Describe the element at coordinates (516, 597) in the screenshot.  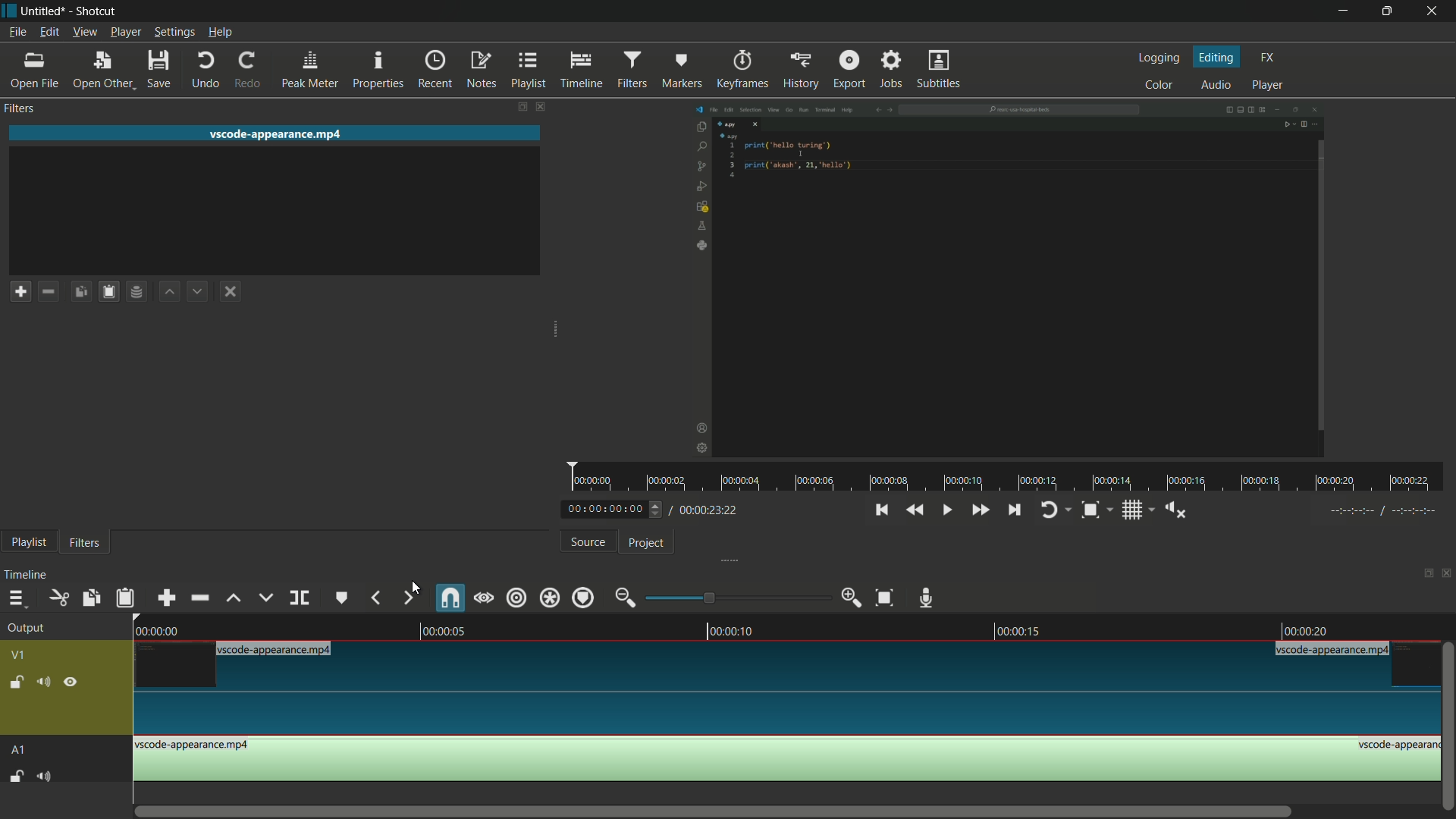
I see `ripple` at that location.